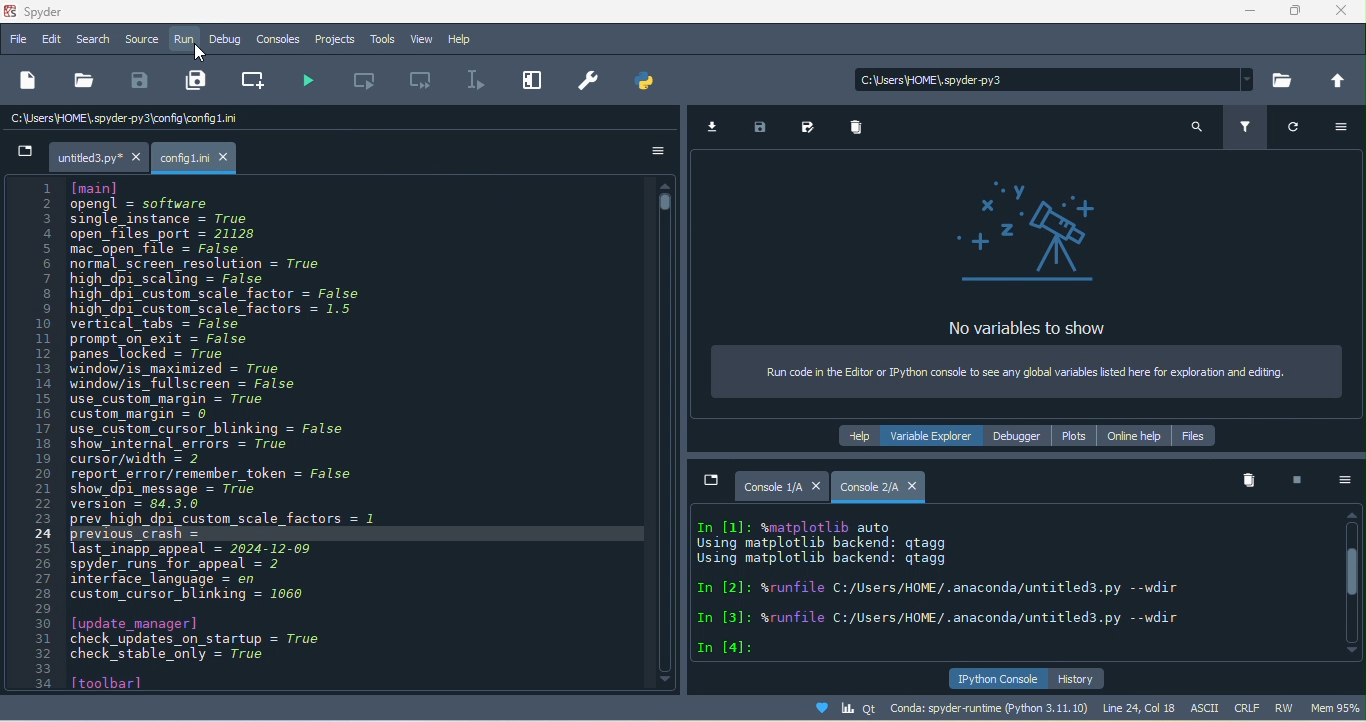 This screenshot has height=722, width=1366. I want to click on option, so click(1343, 126).